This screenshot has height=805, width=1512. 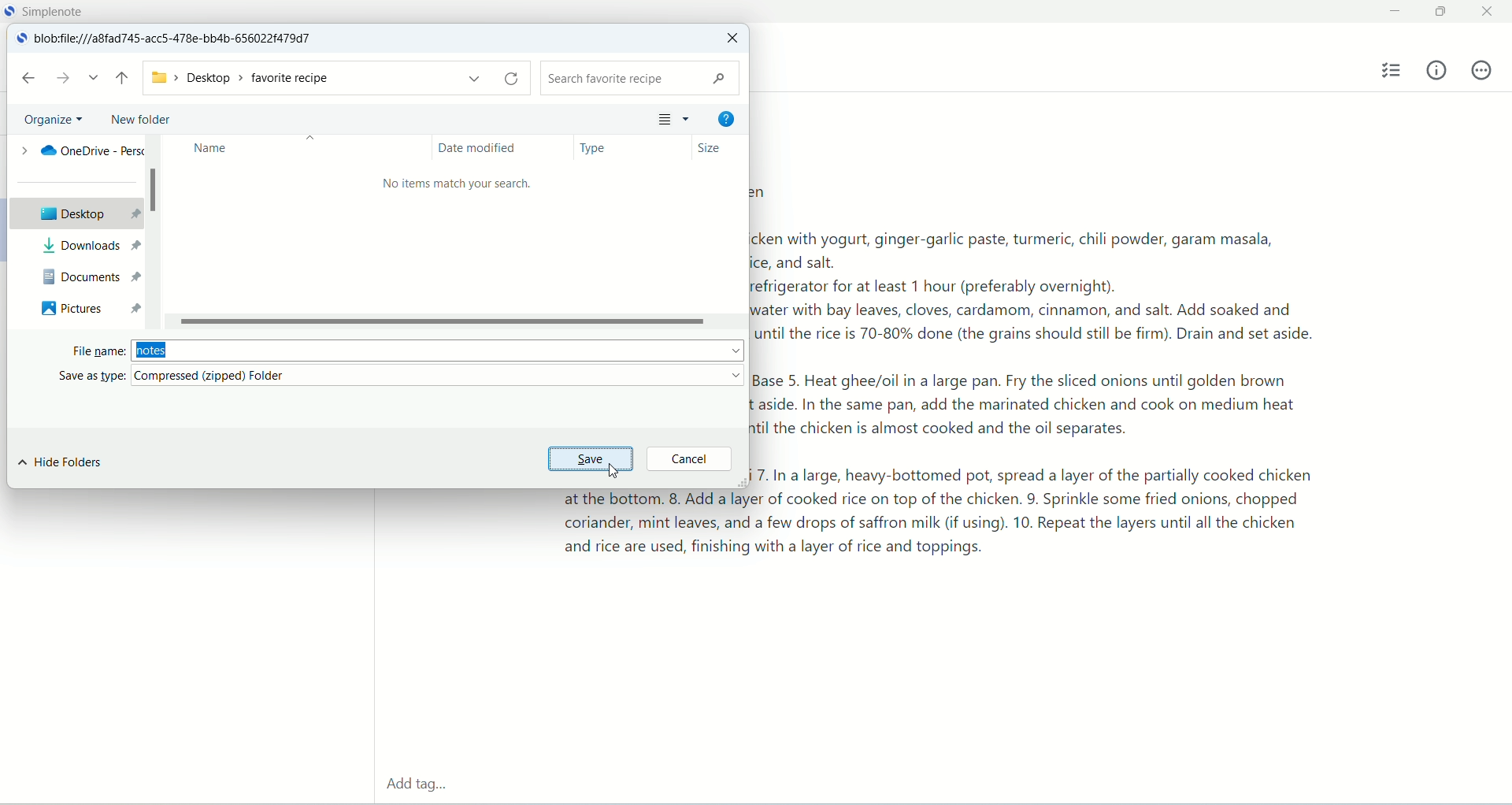 I want to click on save as type, so click(x=403, y=377).